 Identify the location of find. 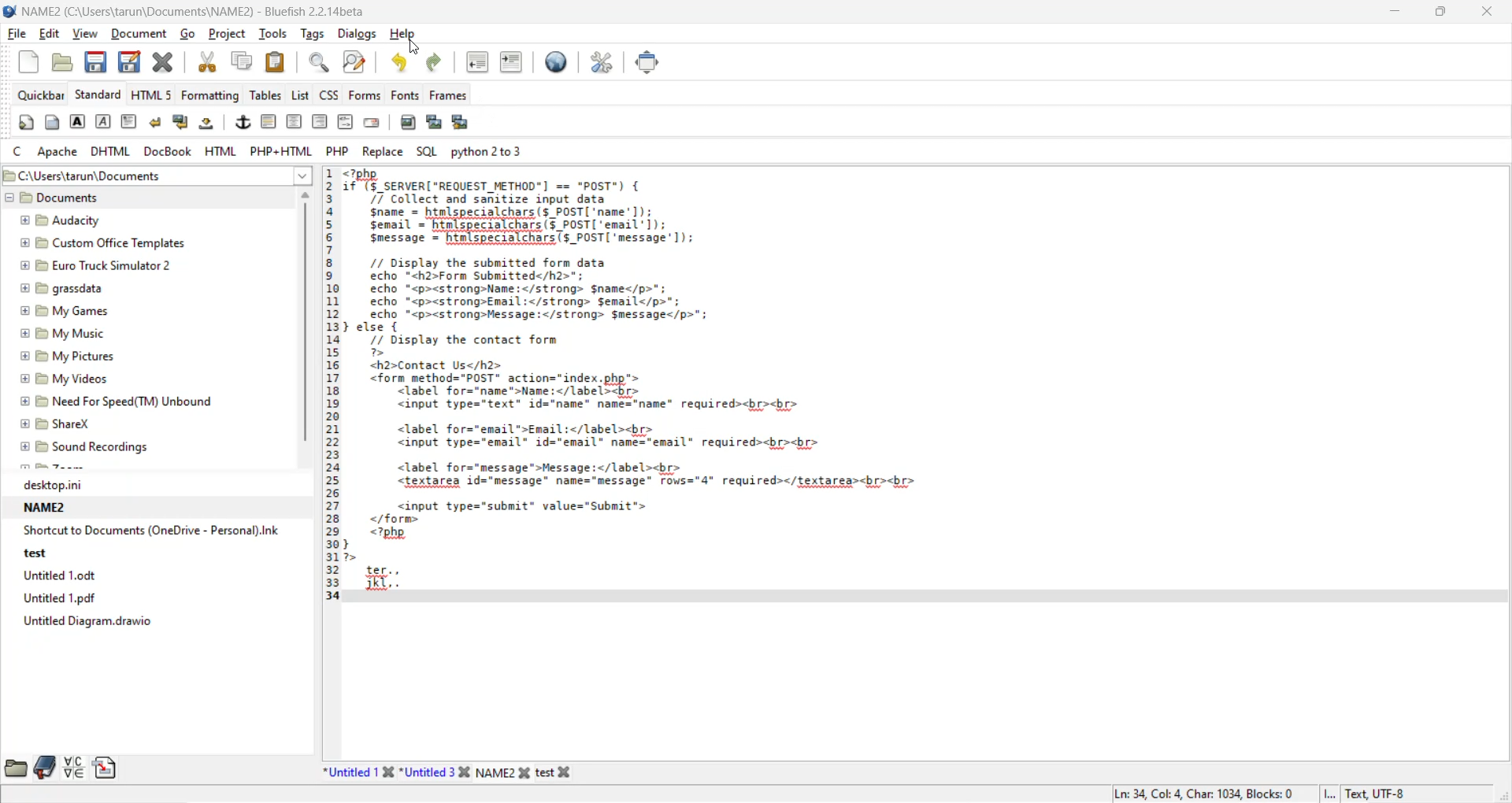
(320, 64).